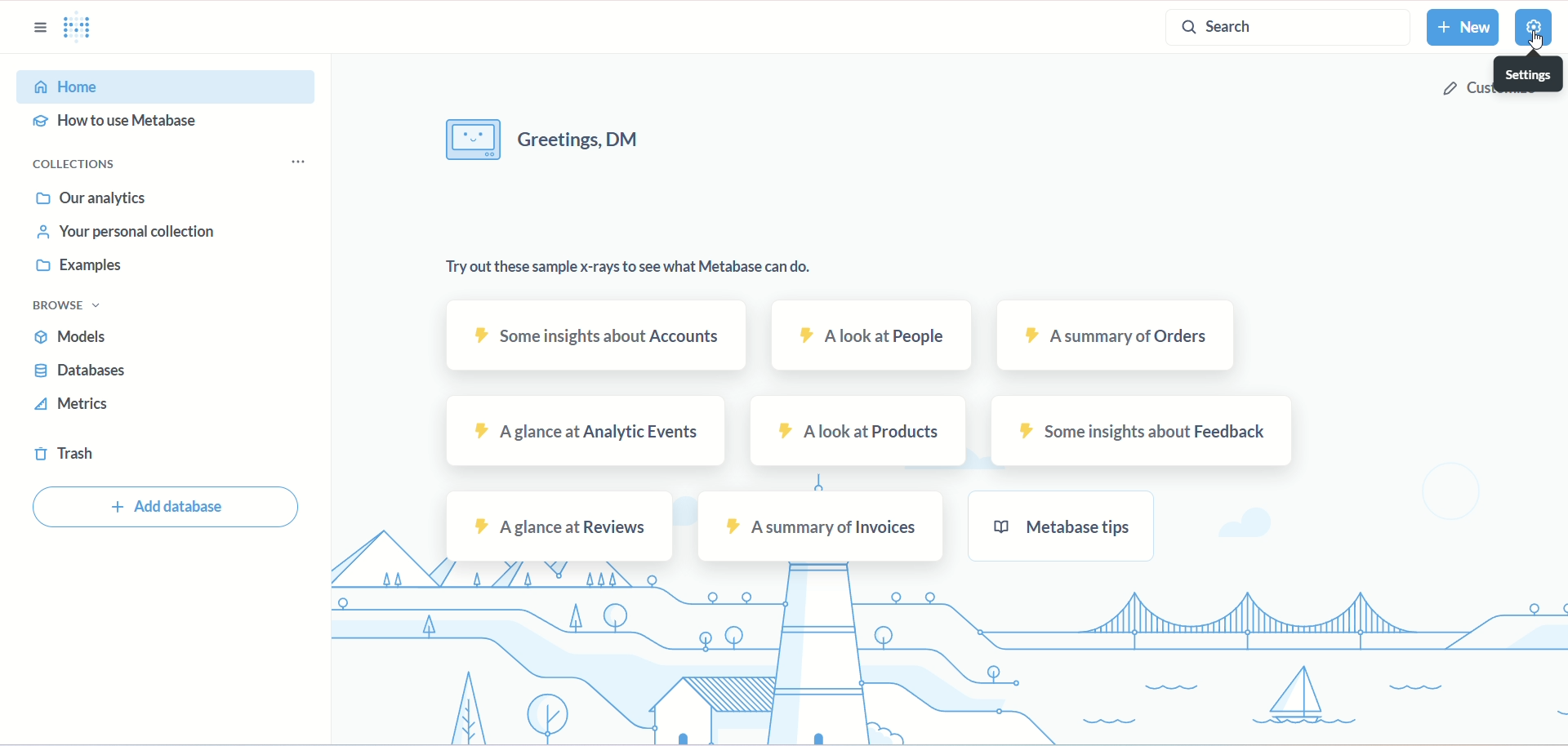  I want to click on our analytics, so click(91, 199).